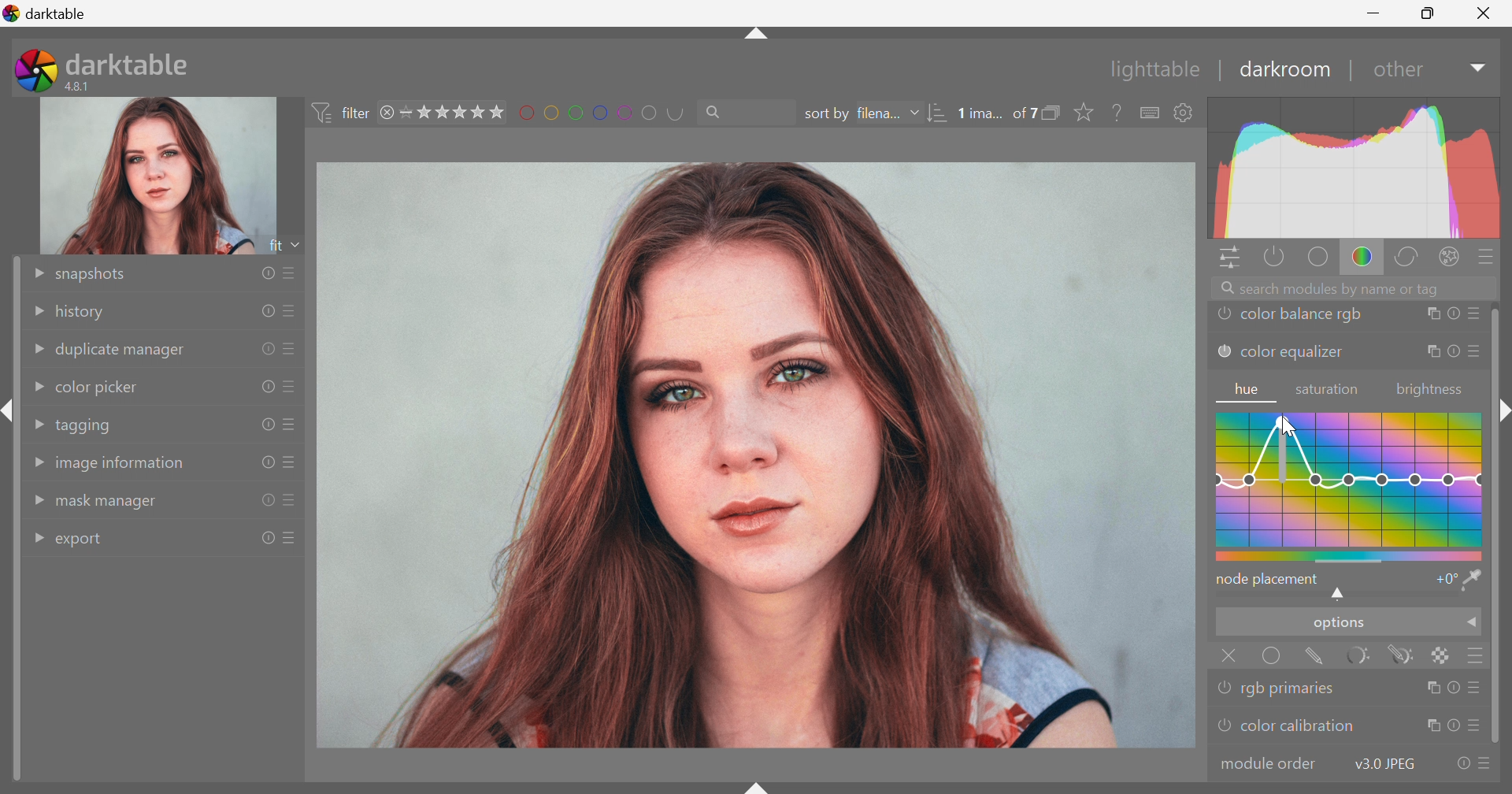 The image size is (1512, 794). What do you see at coordinates (1221, 69) in the screenshot?
I see `|` at bounding box center [1221, 69].